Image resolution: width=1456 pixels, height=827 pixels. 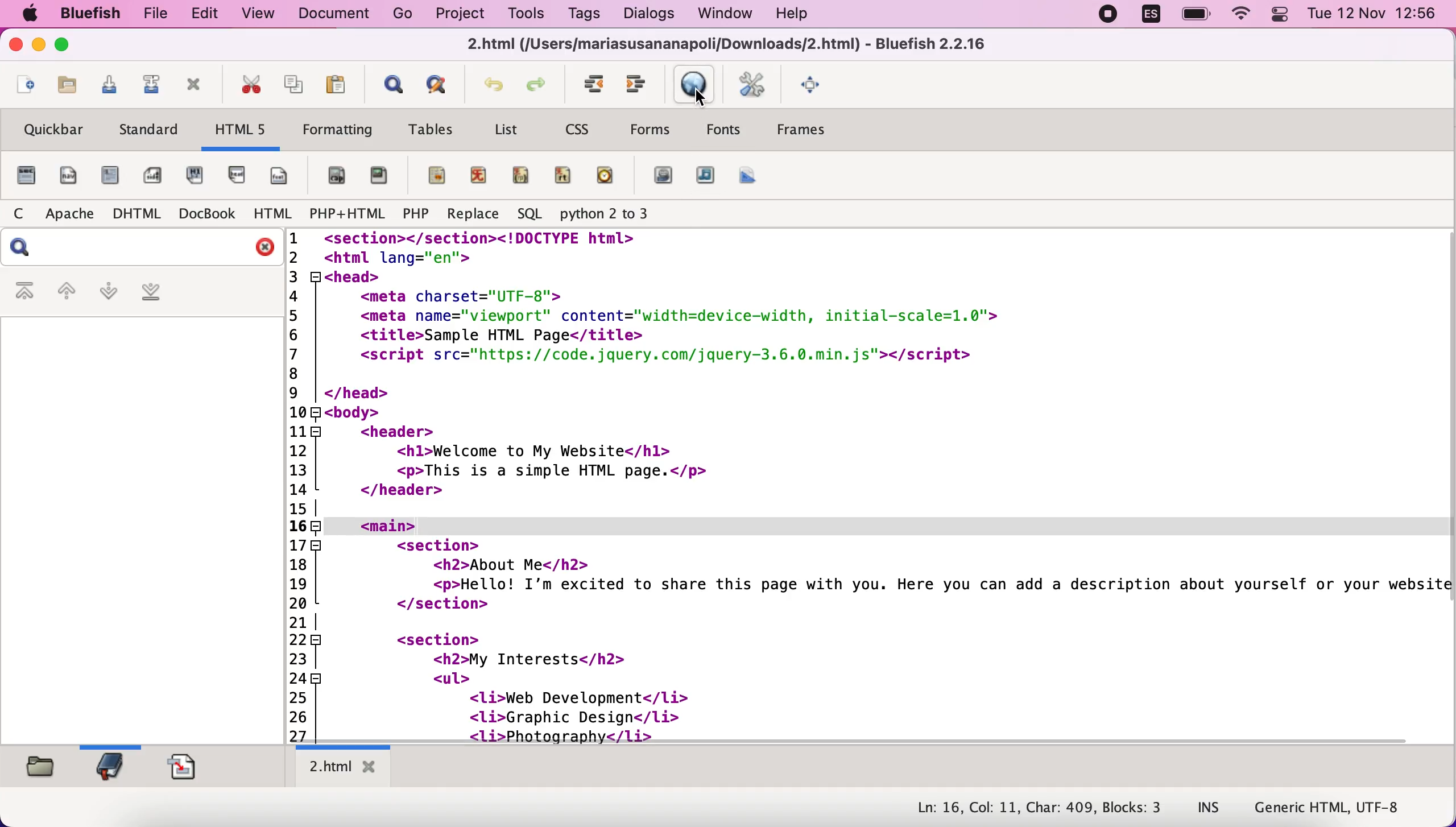 What do you see at coordinates (341, 766) in the screenshot?
I see `2.html` at bounding box center [341, 766].